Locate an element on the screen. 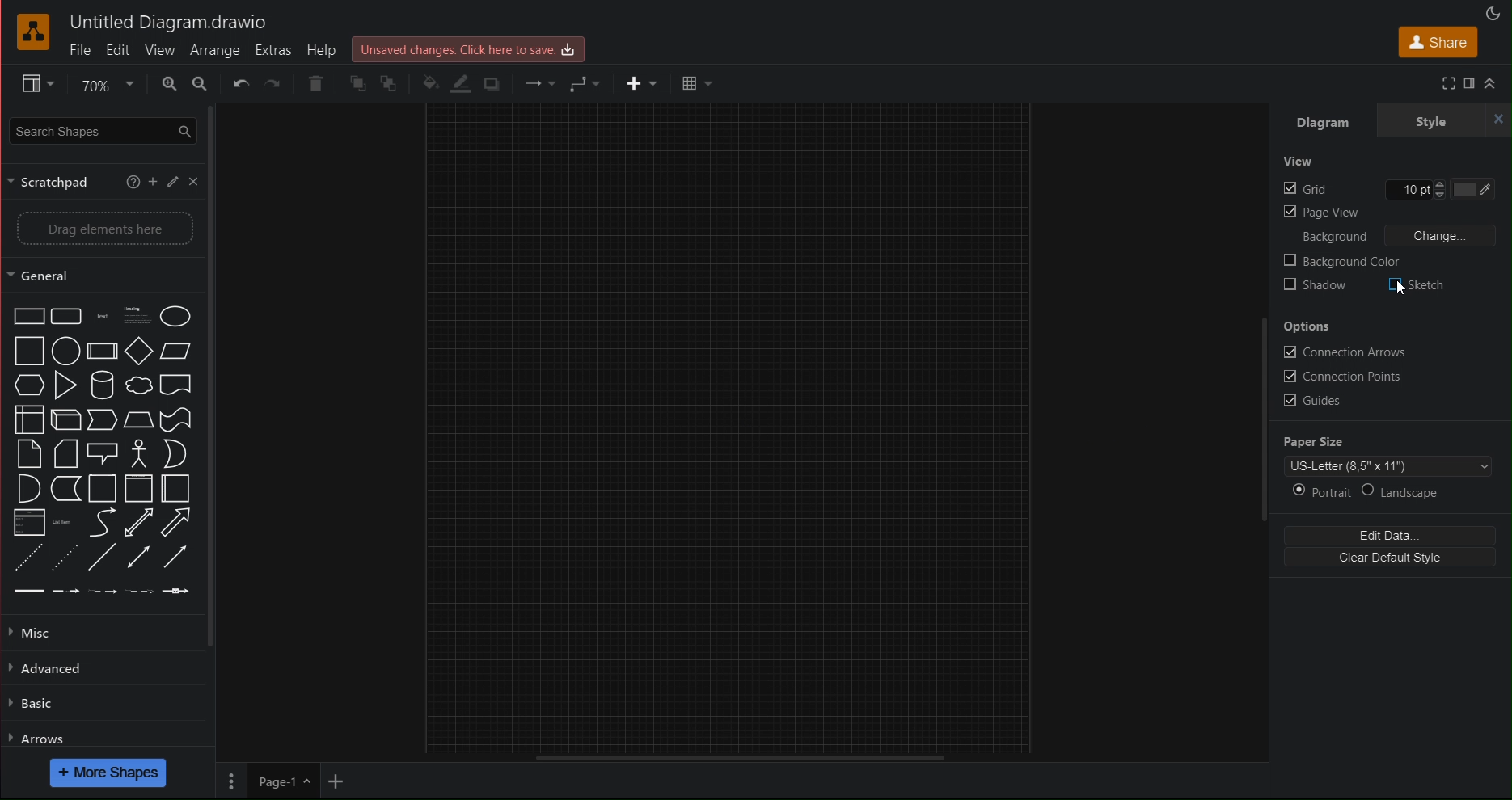  Clear Default Style is located at coordinates (1394, 562).